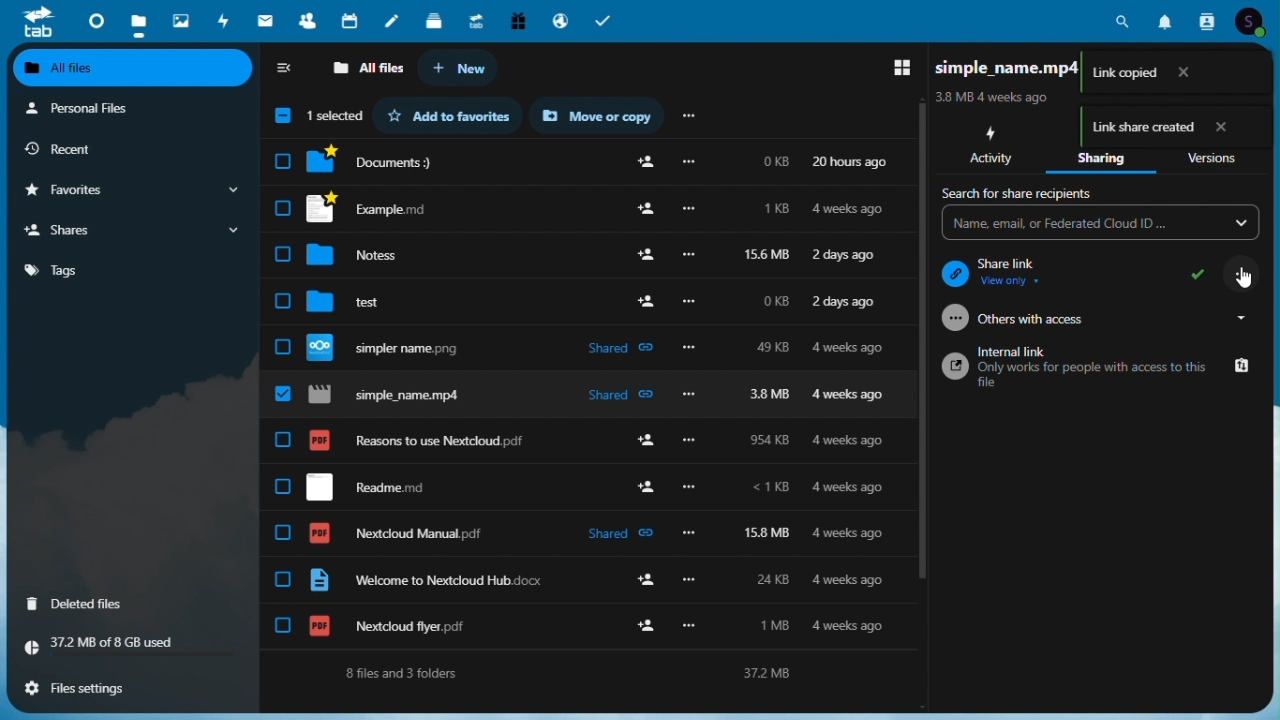 The image size is (1280, 720). I want to click on Contacts, so click(308, 21).